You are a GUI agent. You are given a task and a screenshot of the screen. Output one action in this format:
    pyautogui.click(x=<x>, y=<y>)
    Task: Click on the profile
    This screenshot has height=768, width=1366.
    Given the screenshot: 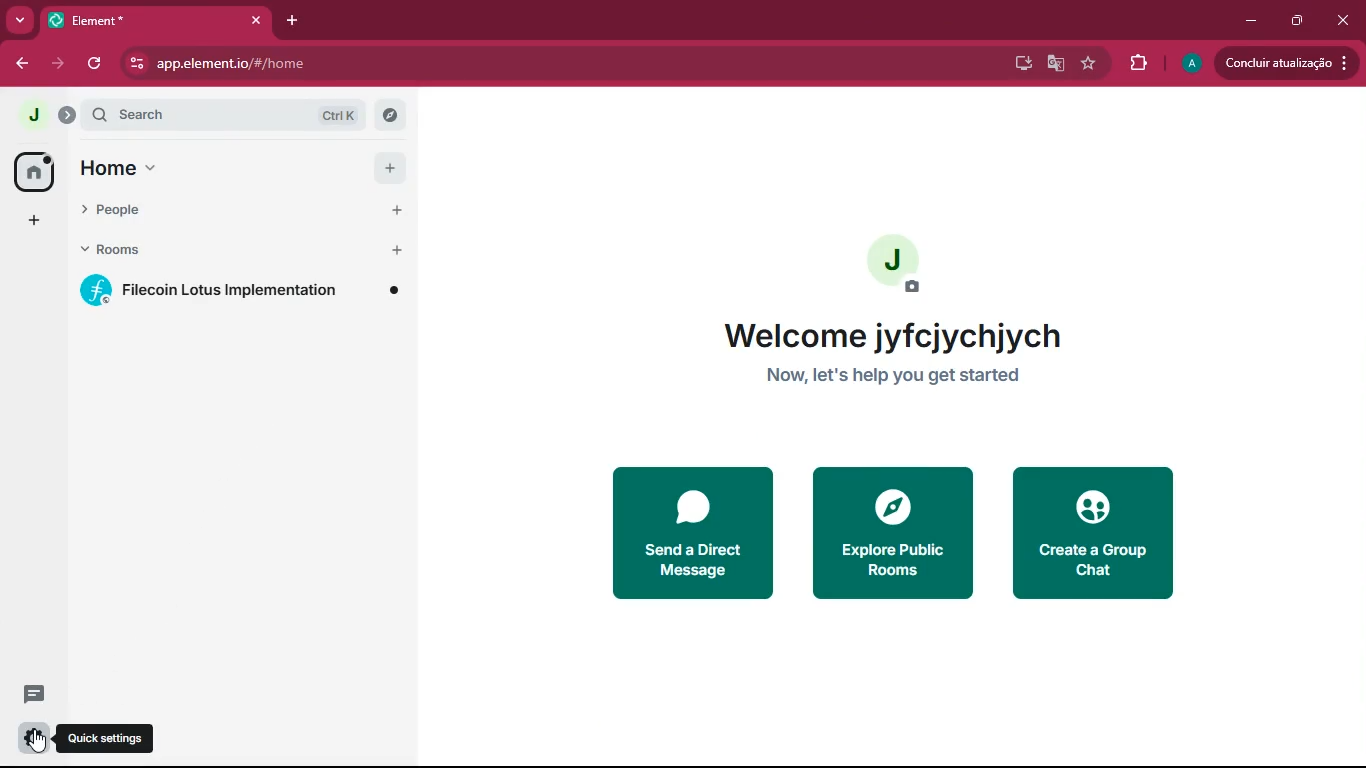 What is the action you would take?
    pyautogui.click(x=1188, y=64)
    